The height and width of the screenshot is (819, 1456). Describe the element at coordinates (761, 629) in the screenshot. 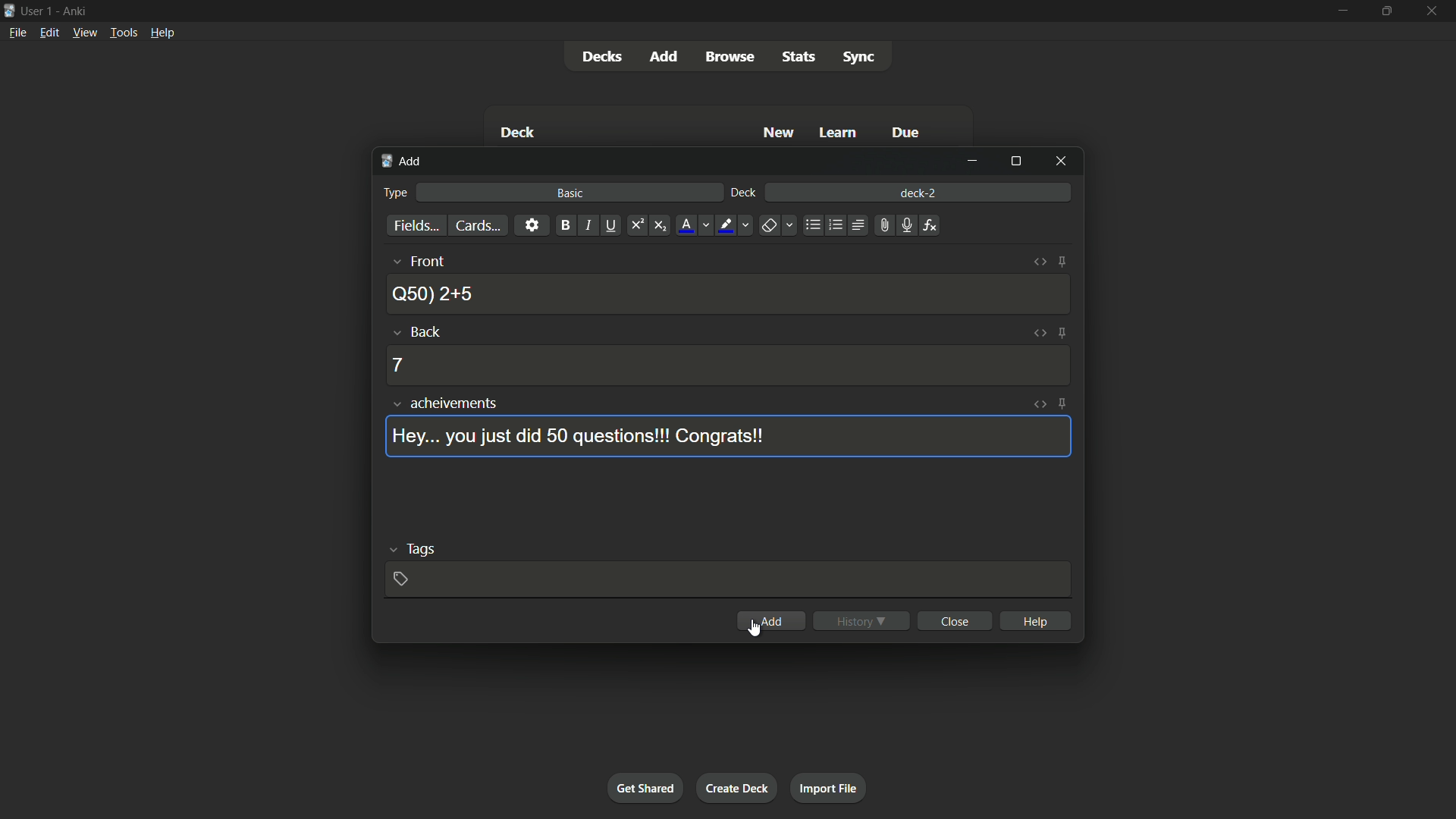

I see `cursor` at that location.